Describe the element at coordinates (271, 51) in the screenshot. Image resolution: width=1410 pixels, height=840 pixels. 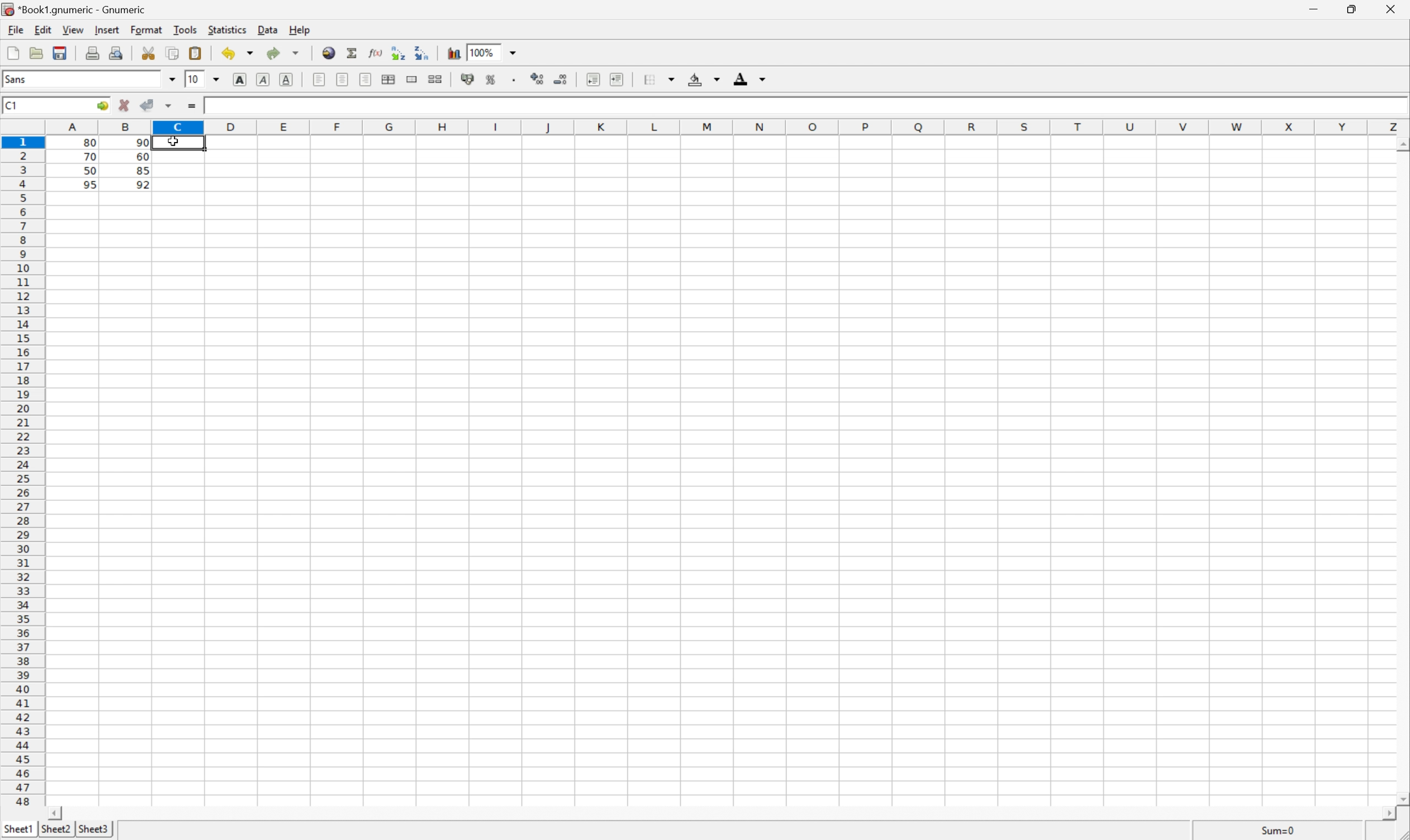
I see `Redo` at that location.